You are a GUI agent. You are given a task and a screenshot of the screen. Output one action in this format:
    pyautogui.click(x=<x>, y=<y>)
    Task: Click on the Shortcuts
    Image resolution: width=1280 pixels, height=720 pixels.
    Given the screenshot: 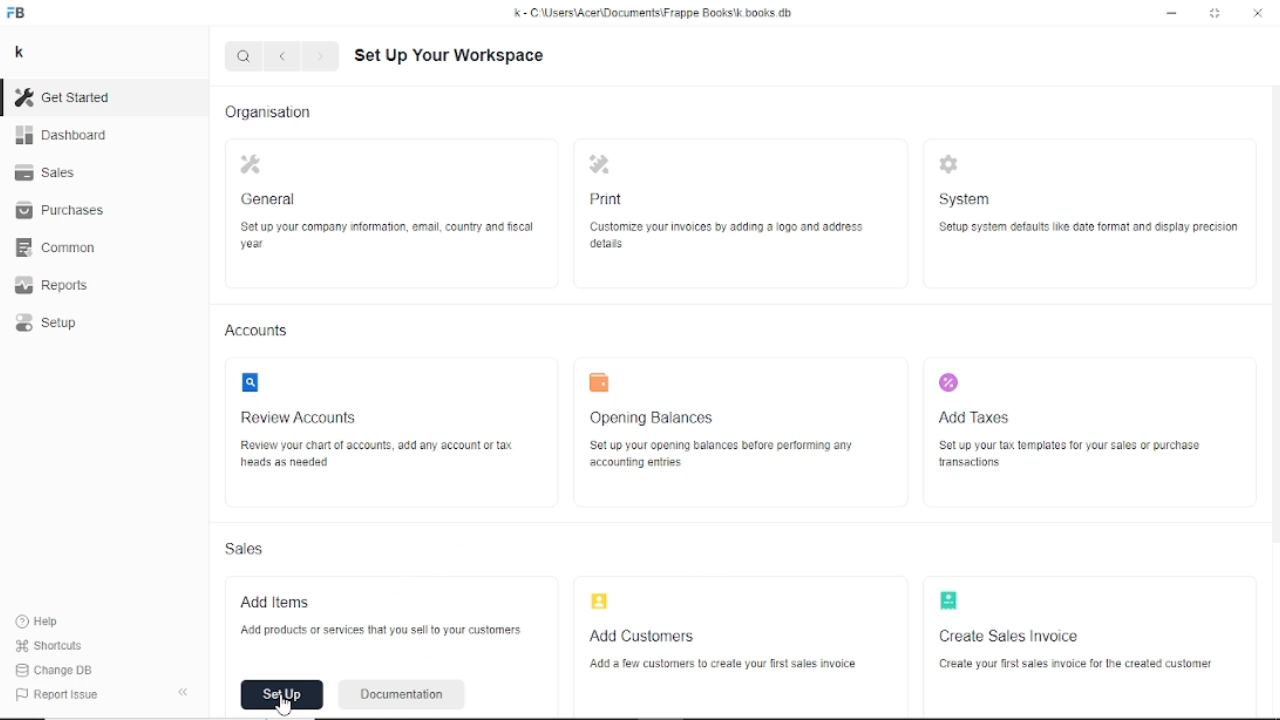 What is the action you would take?
    pyautogui.click(x=51, y=647)
    